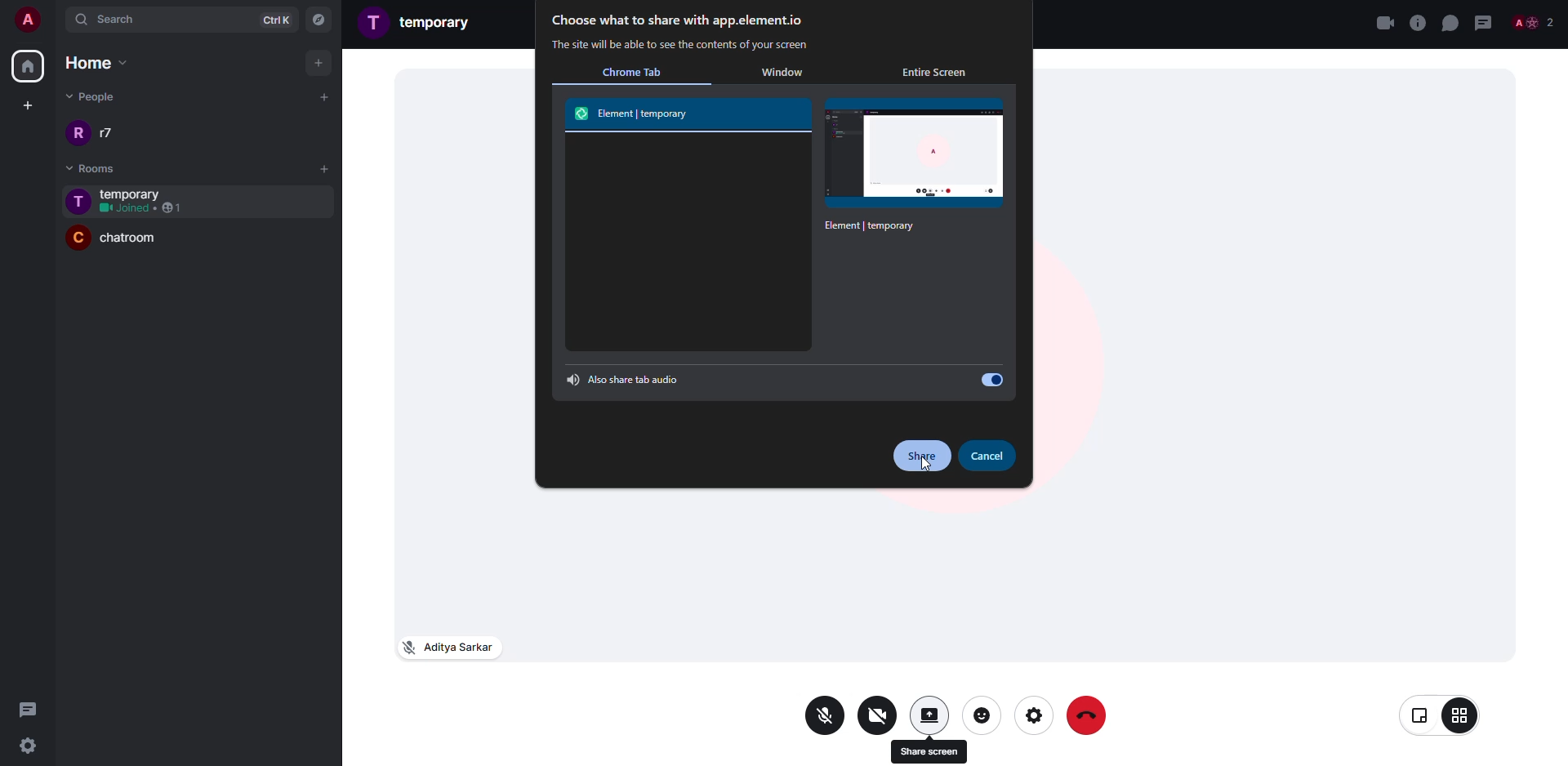 The height and width of the screenshot is (766, 1568). I want to click on share tab audio, so click(626, 379).